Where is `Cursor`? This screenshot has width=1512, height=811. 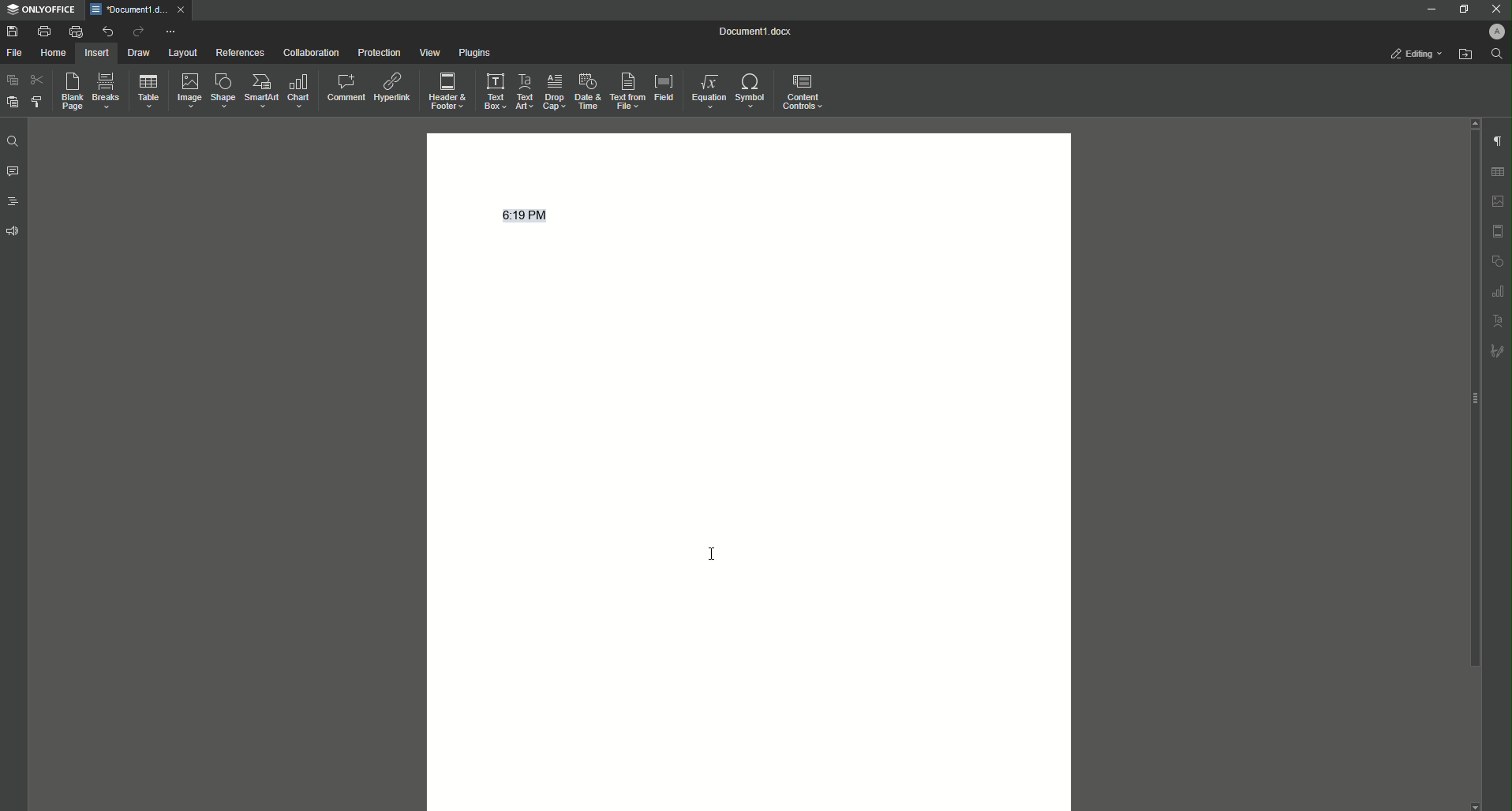
Cursor is located at coordinates (717, 555).